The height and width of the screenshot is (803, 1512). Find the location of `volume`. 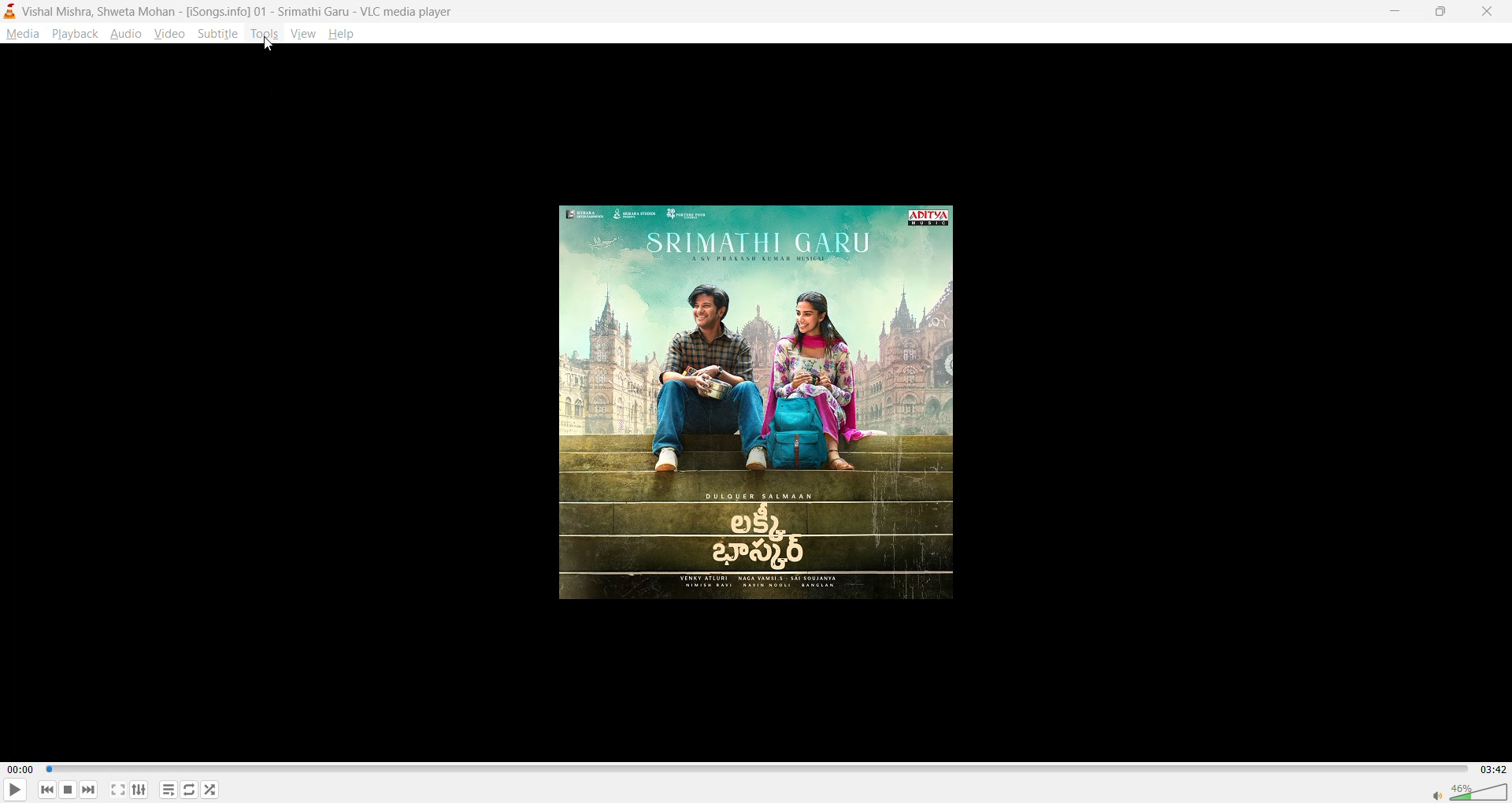

volume is located at coordinates (1469, 790).